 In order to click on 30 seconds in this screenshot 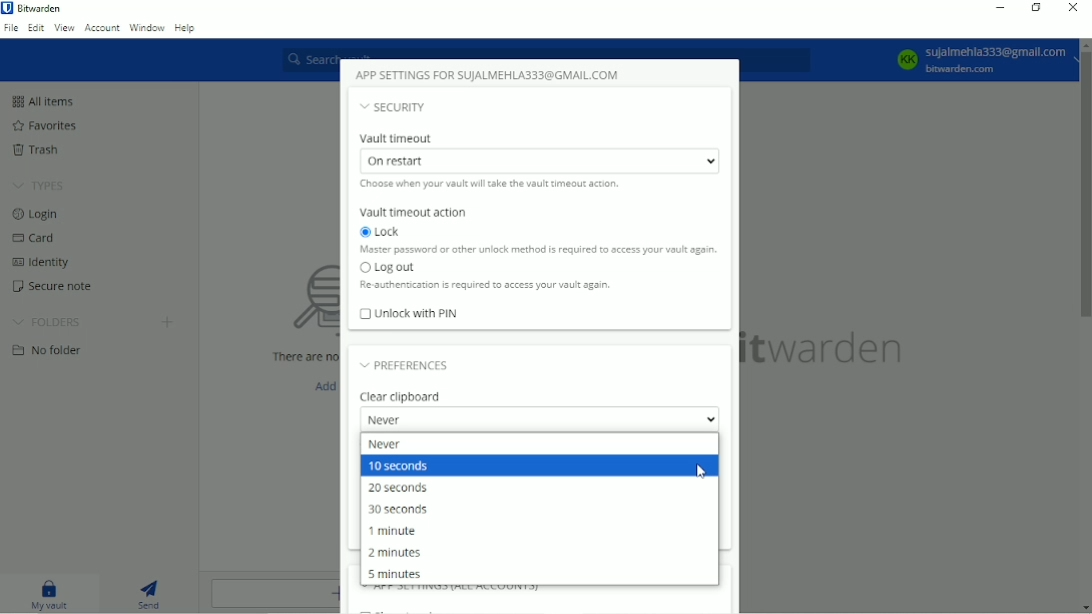, I will do `click(400, 508)`.